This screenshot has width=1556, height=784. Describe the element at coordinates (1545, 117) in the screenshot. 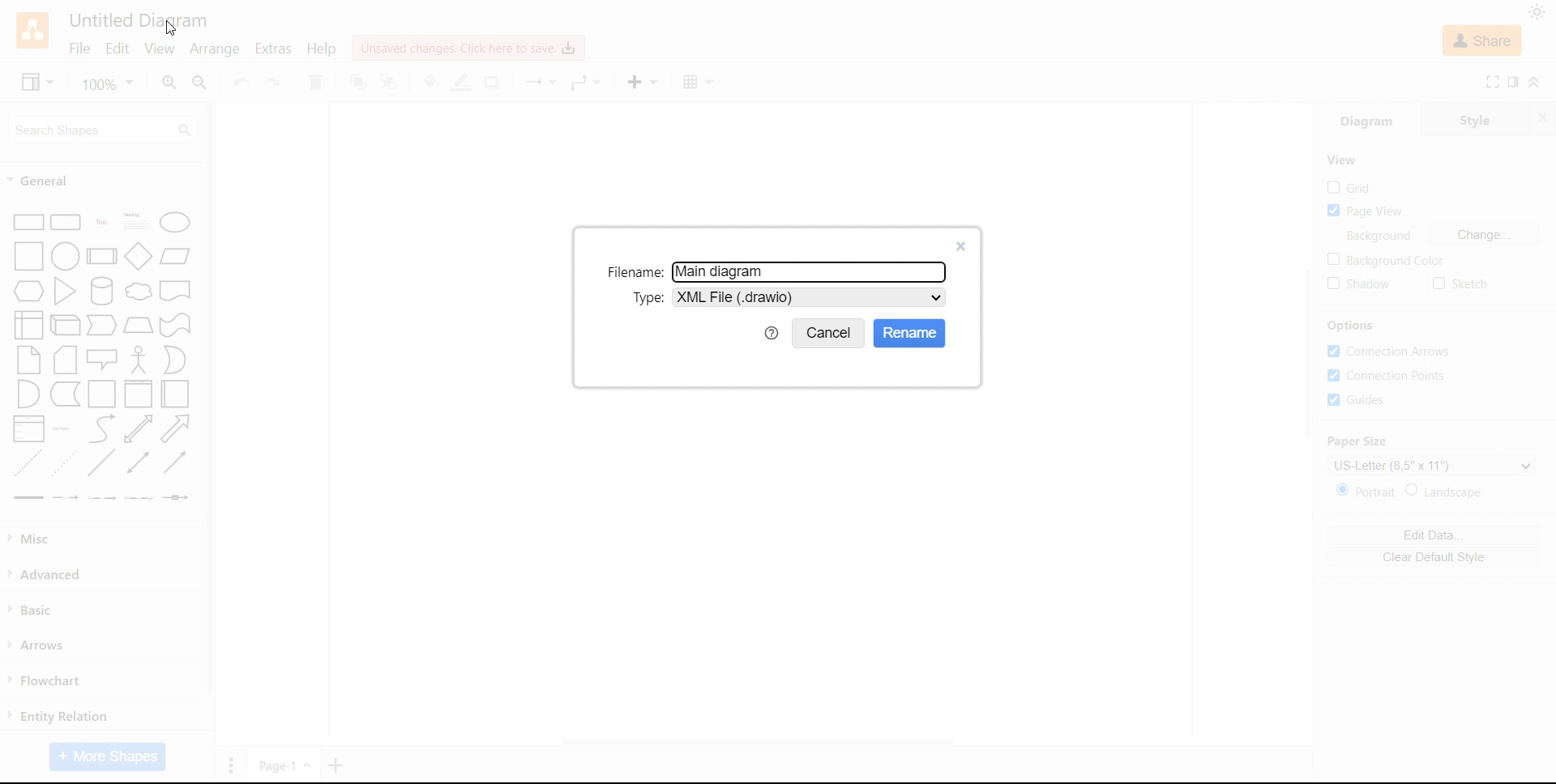

I see `Close tabs ` at that location.